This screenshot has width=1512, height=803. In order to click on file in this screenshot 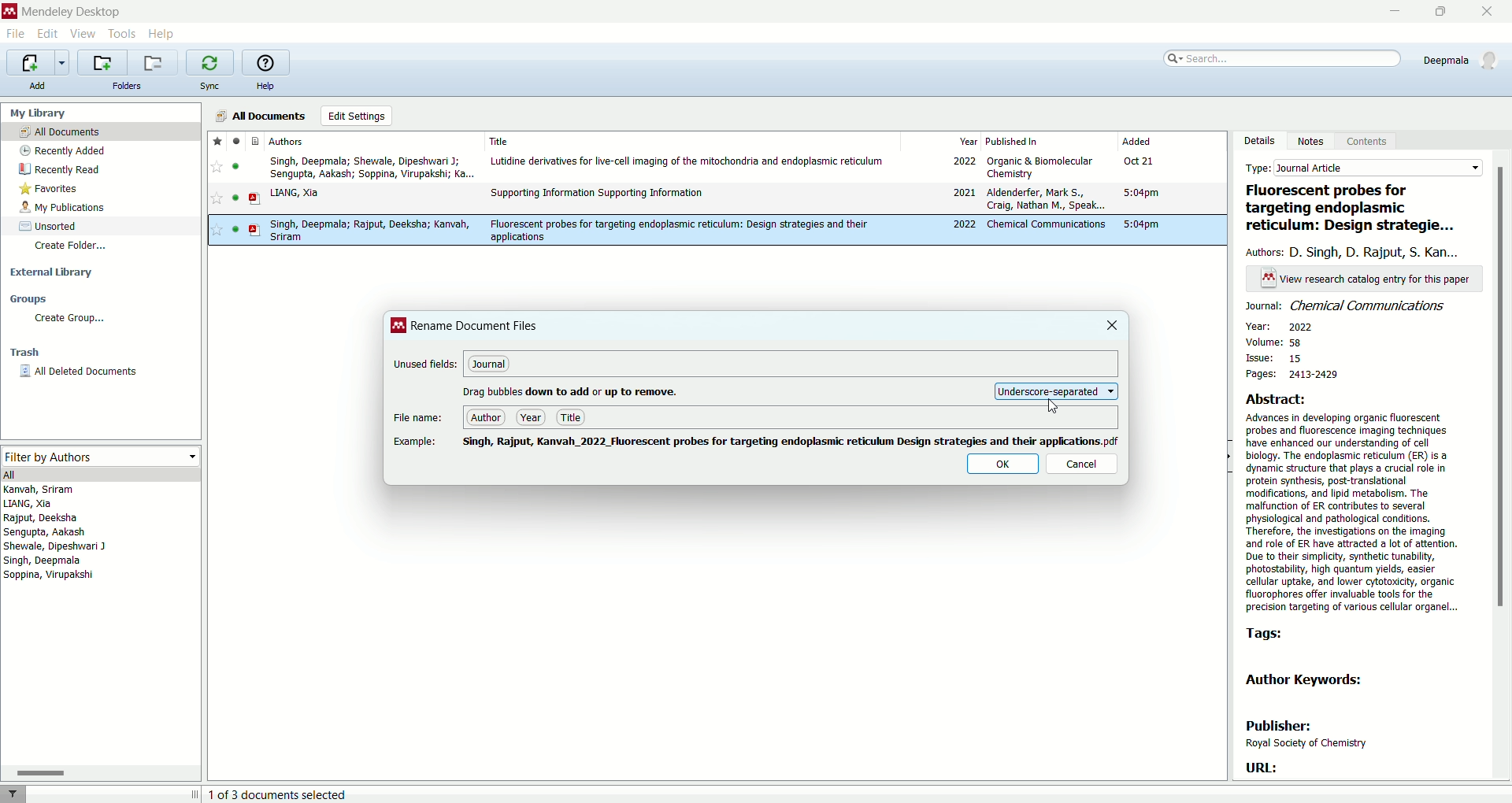, I will do `click(17, 34)`.